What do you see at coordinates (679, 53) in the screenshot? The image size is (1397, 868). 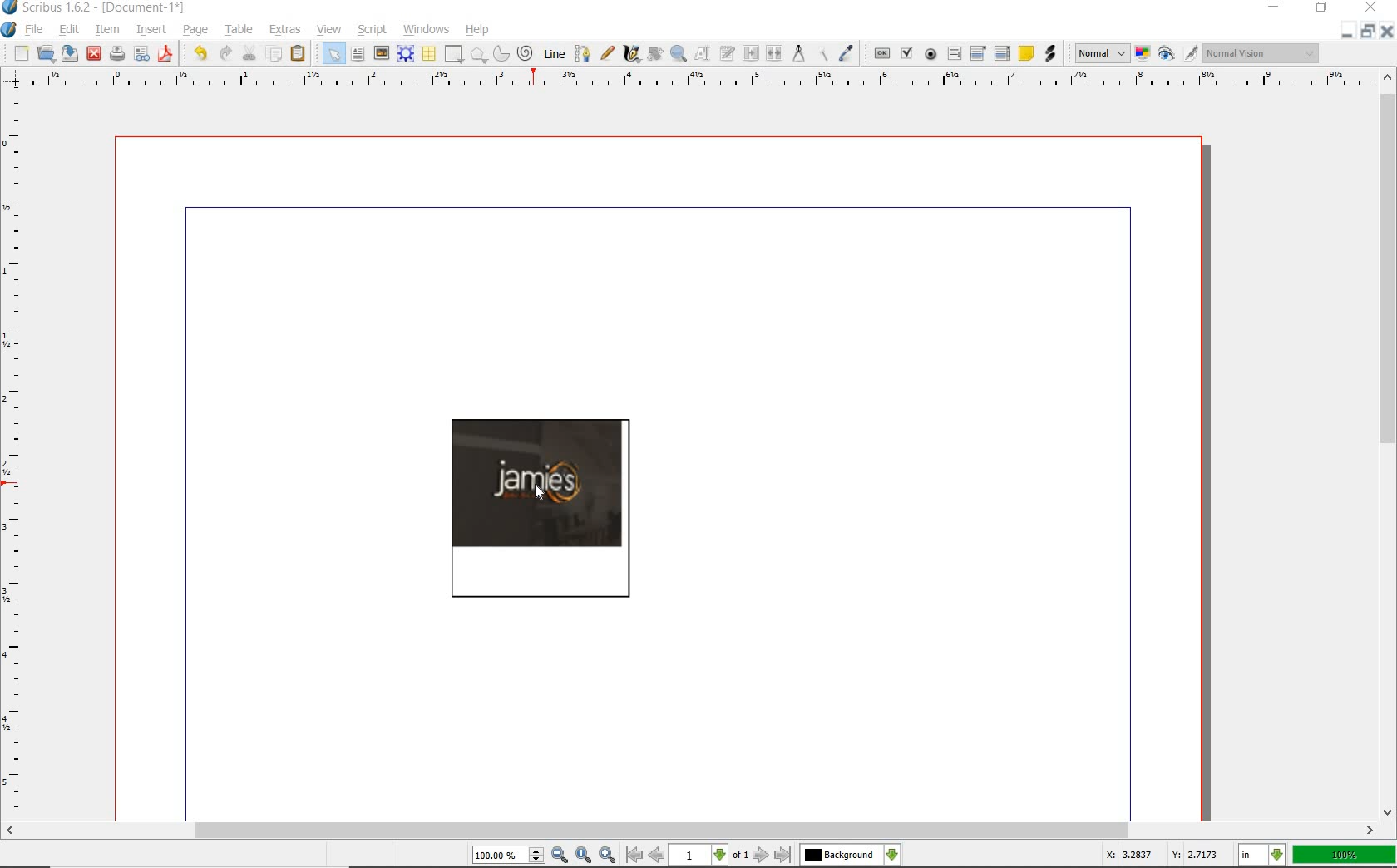 I see `zoom in or zoom out` at bounding box center [679, 53].